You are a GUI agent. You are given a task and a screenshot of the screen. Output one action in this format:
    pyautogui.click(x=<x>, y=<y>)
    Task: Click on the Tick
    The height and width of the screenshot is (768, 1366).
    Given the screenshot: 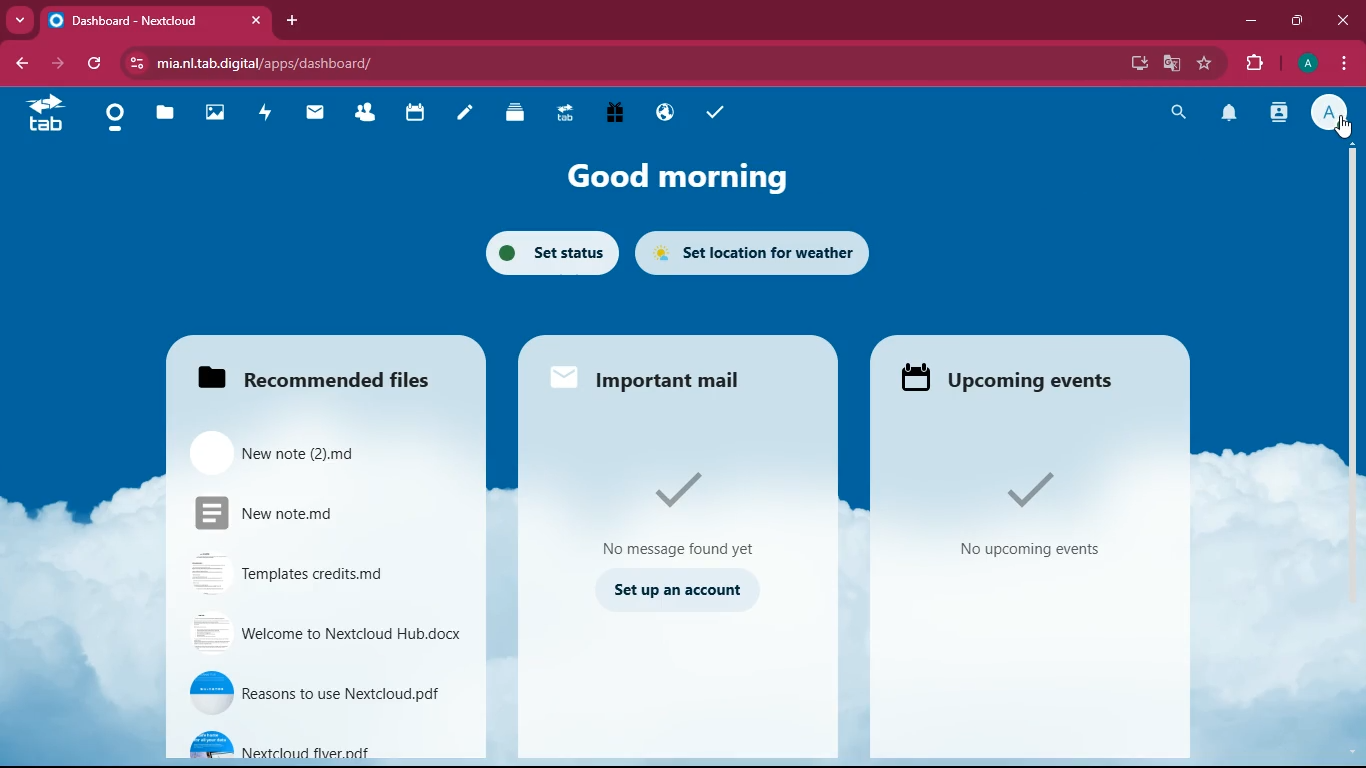 What is the action you would take?
    pyautogui.click(x=1021, y=489)
    